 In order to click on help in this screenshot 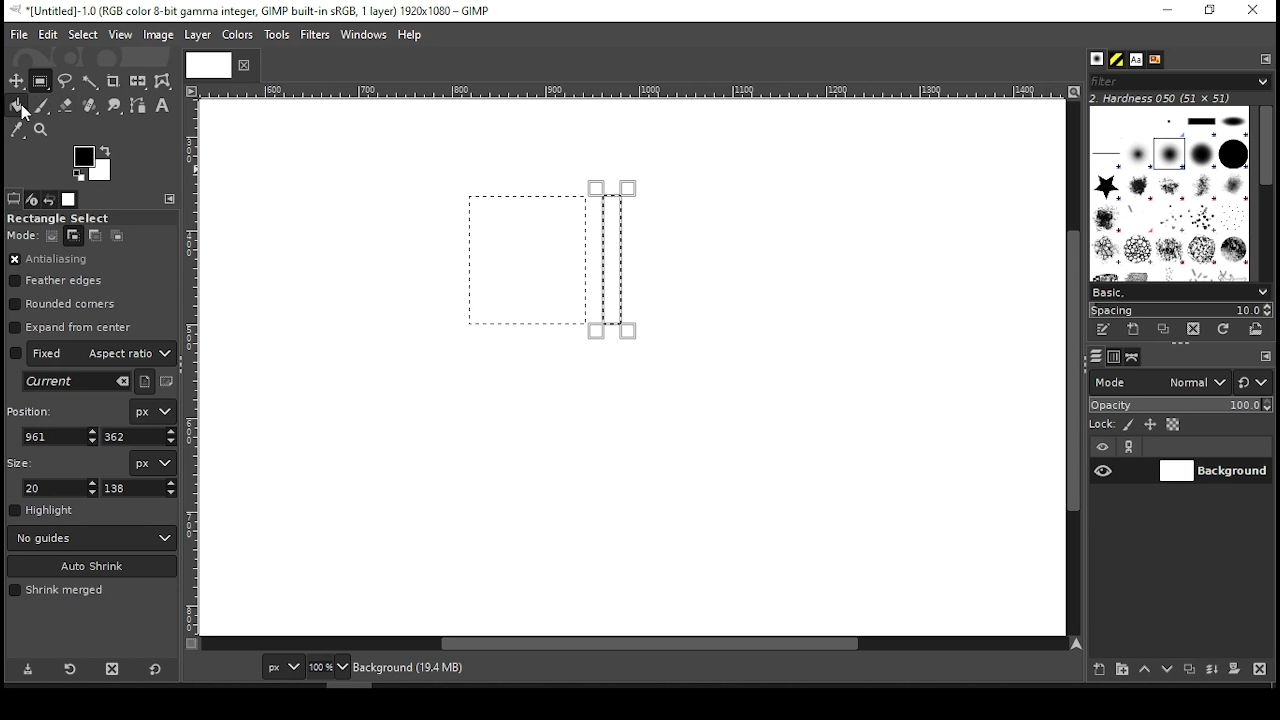, I will do `click(410, 36)`.